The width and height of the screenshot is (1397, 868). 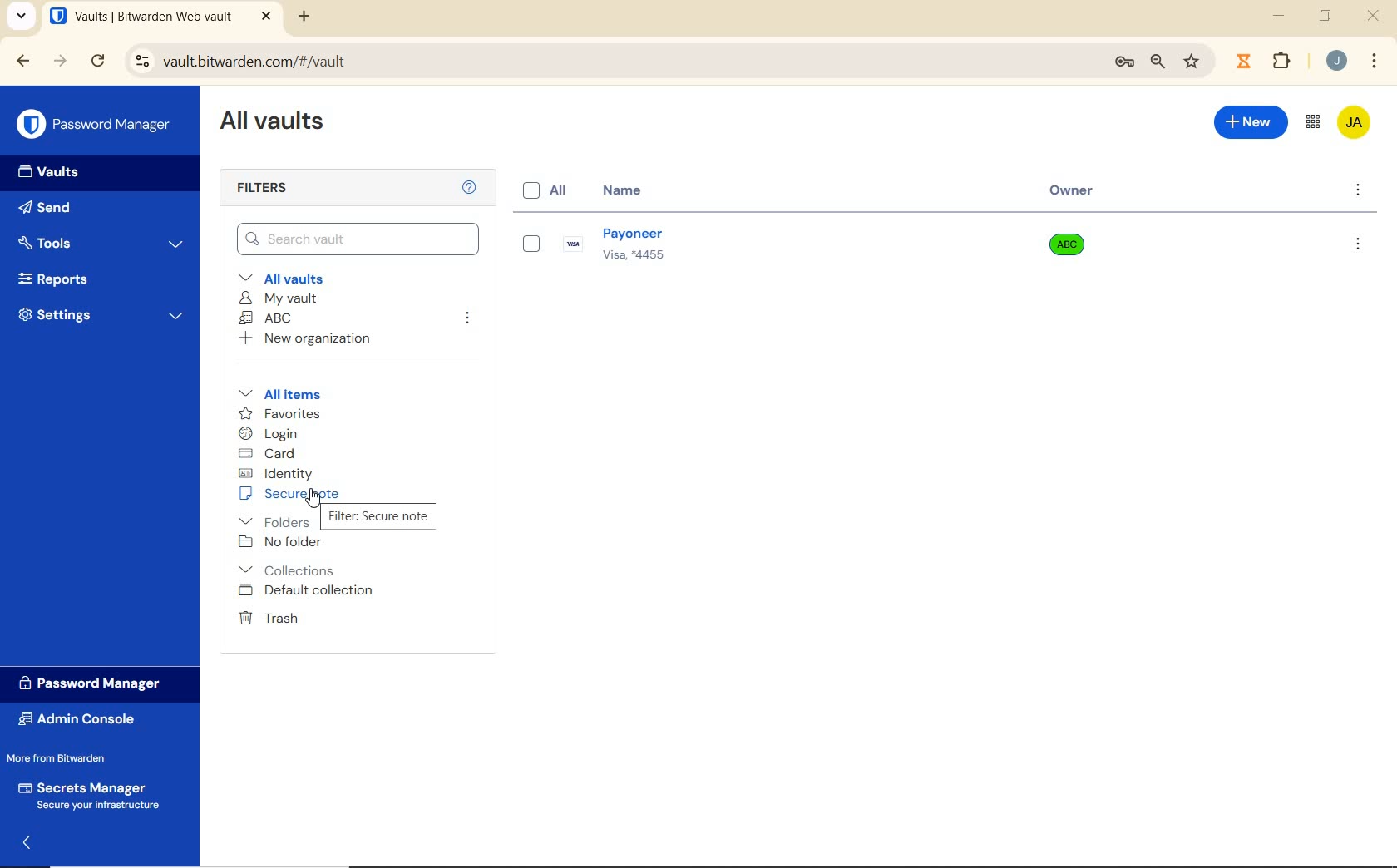 I want to click on reload, so click(x=97, y=62).